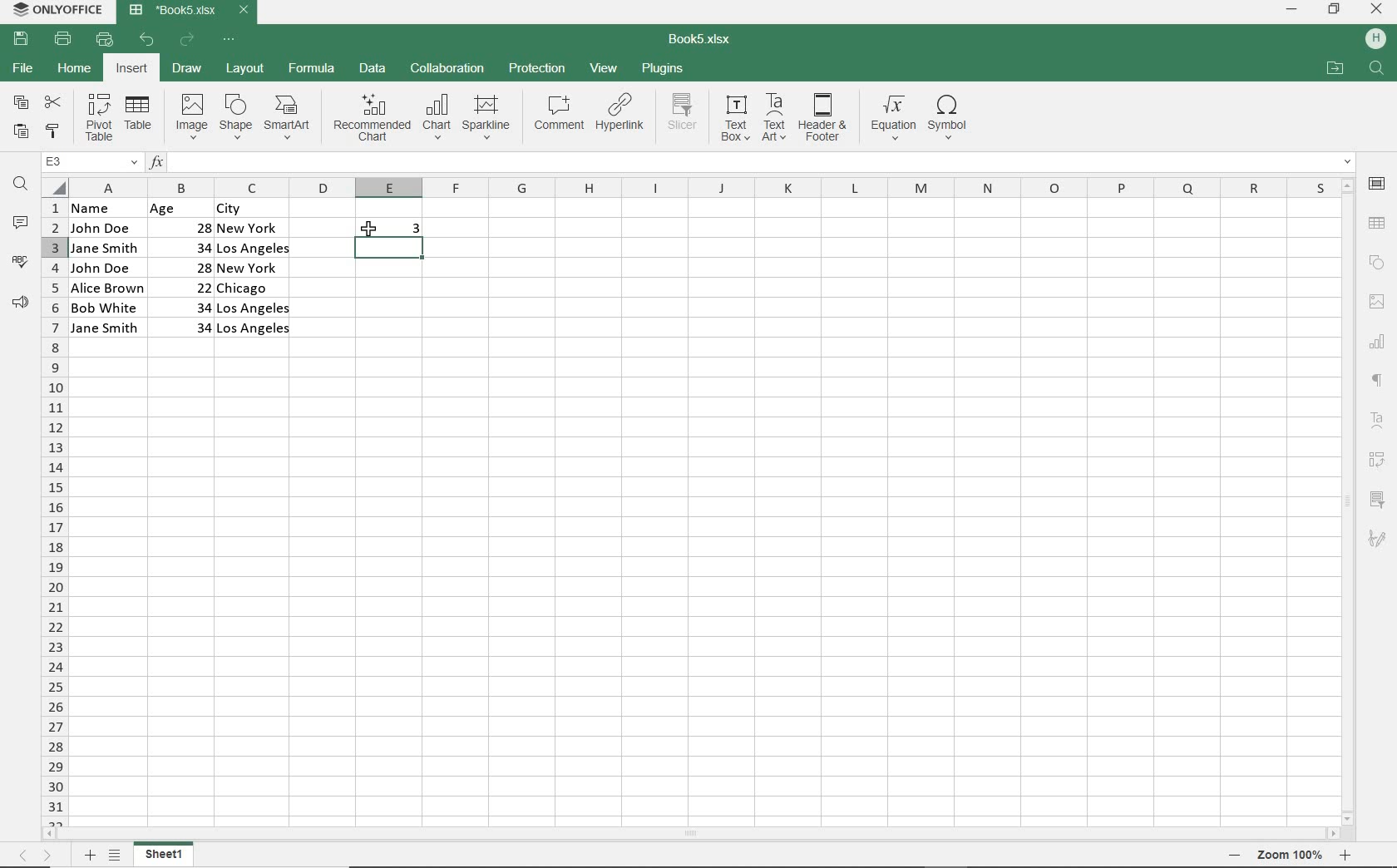  I want to click on Zoom 100%, so click(1291, 855).